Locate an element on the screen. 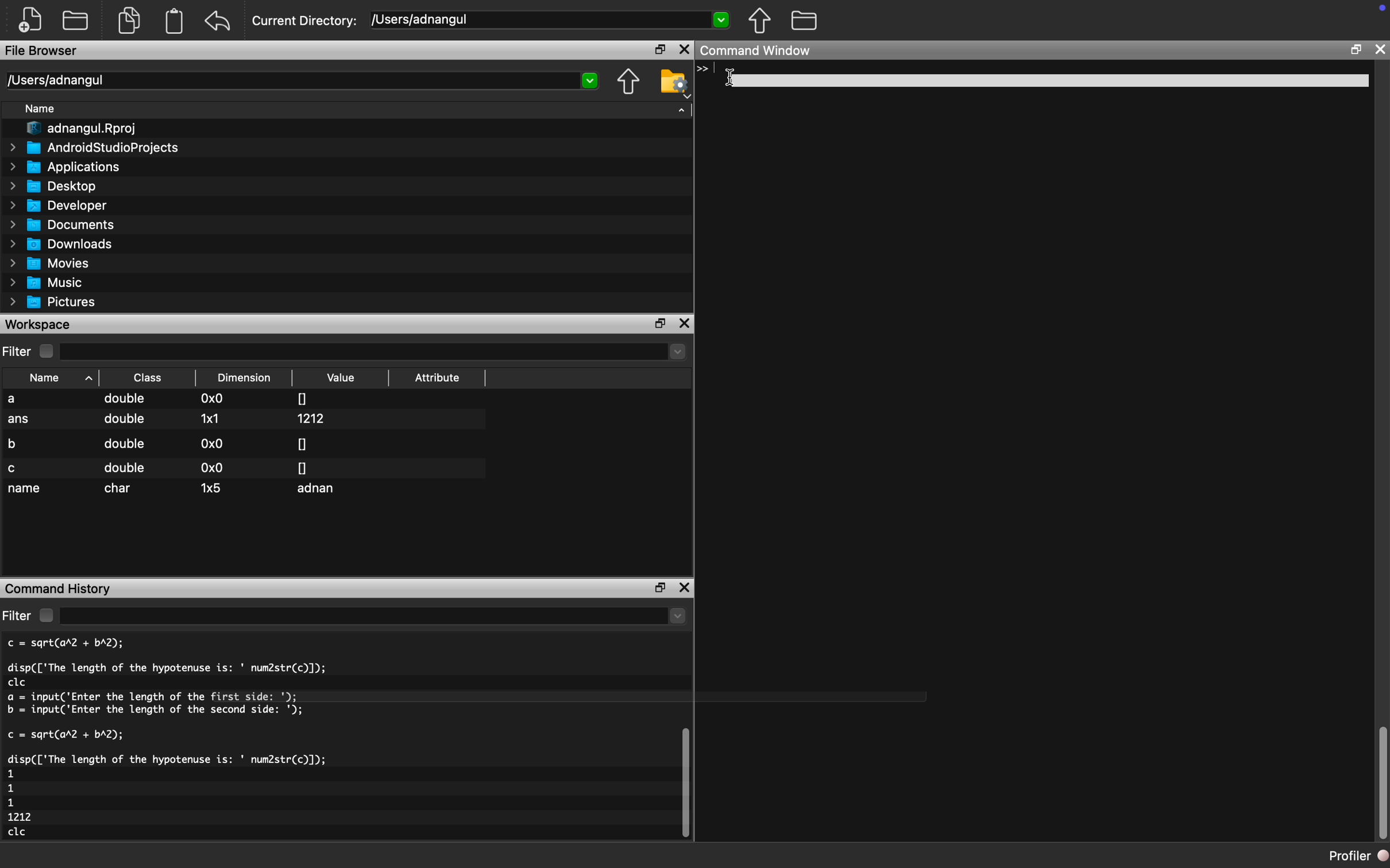 The image size is (1390, 868). Name is located at coordinates (45, 110).